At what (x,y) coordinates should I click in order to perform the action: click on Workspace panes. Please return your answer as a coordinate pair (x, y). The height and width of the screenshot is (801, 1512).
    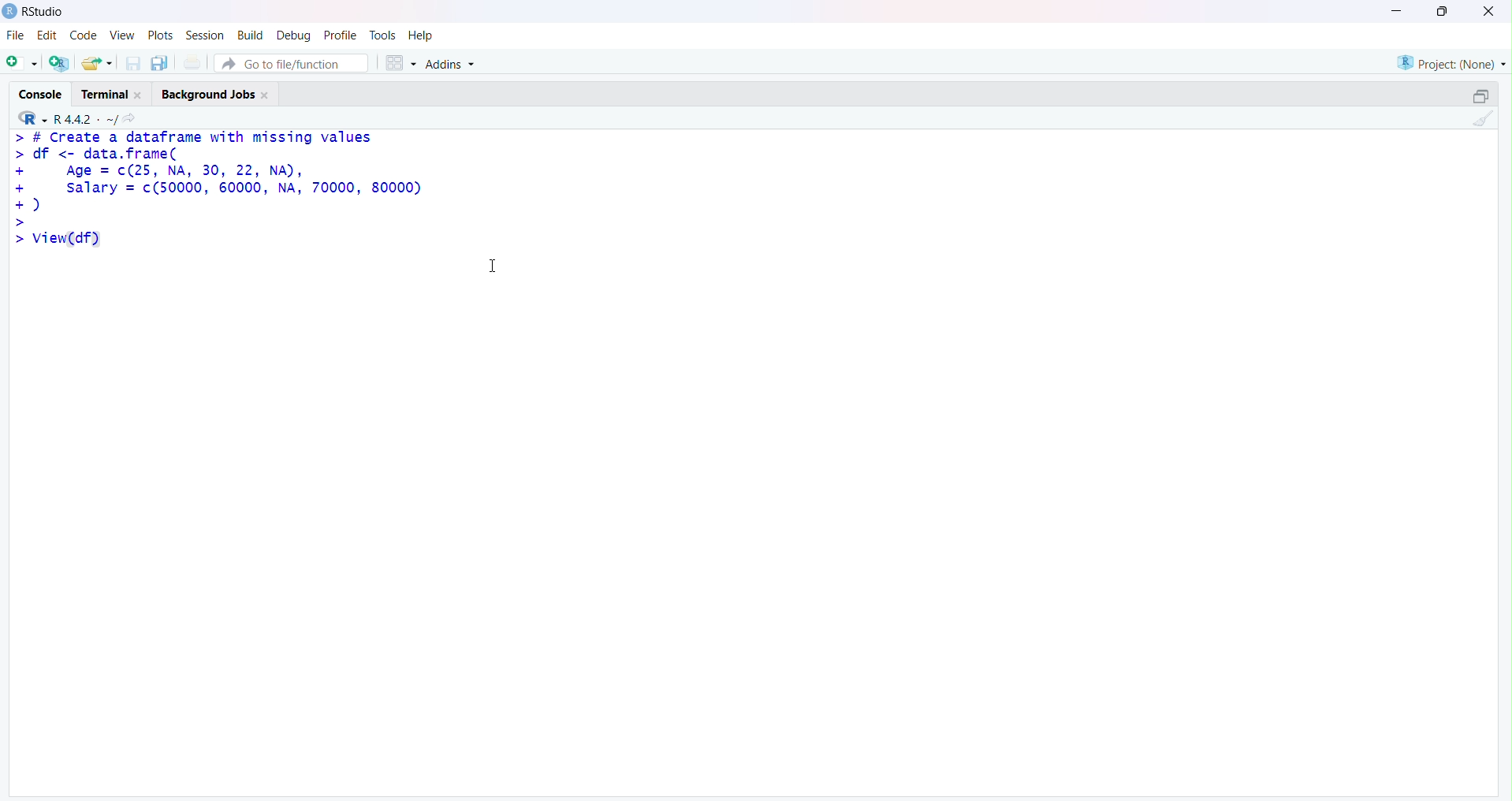
    Looking at the image, I should click on (397, 59).